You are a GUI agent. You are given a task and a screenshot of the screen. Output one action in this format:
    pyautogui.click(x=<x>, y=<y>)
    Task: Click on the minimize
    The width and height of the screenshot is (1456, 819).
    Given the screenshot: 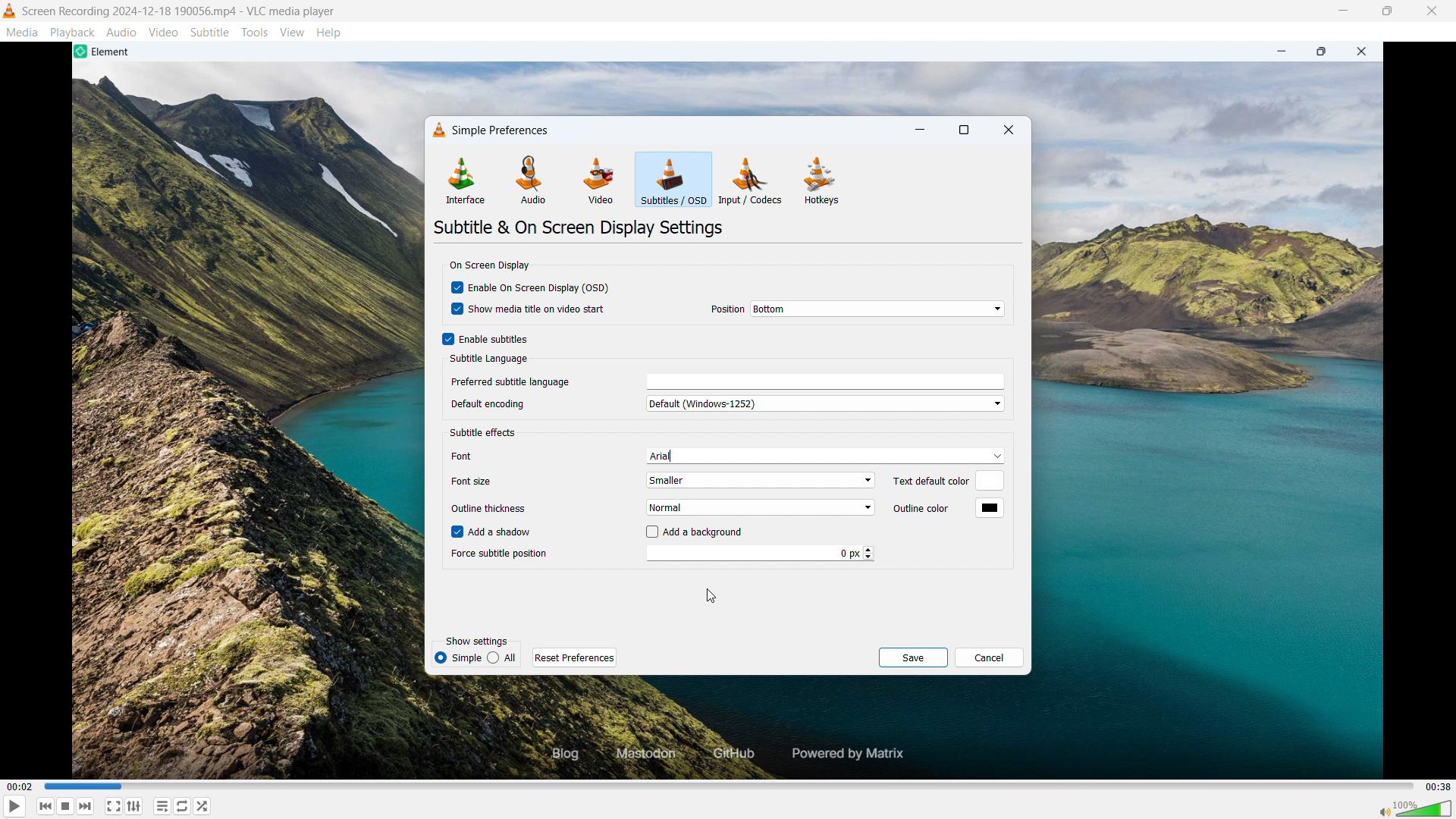 What is the action you would take?
    pyautogui.click(x=1341, y=11)
    